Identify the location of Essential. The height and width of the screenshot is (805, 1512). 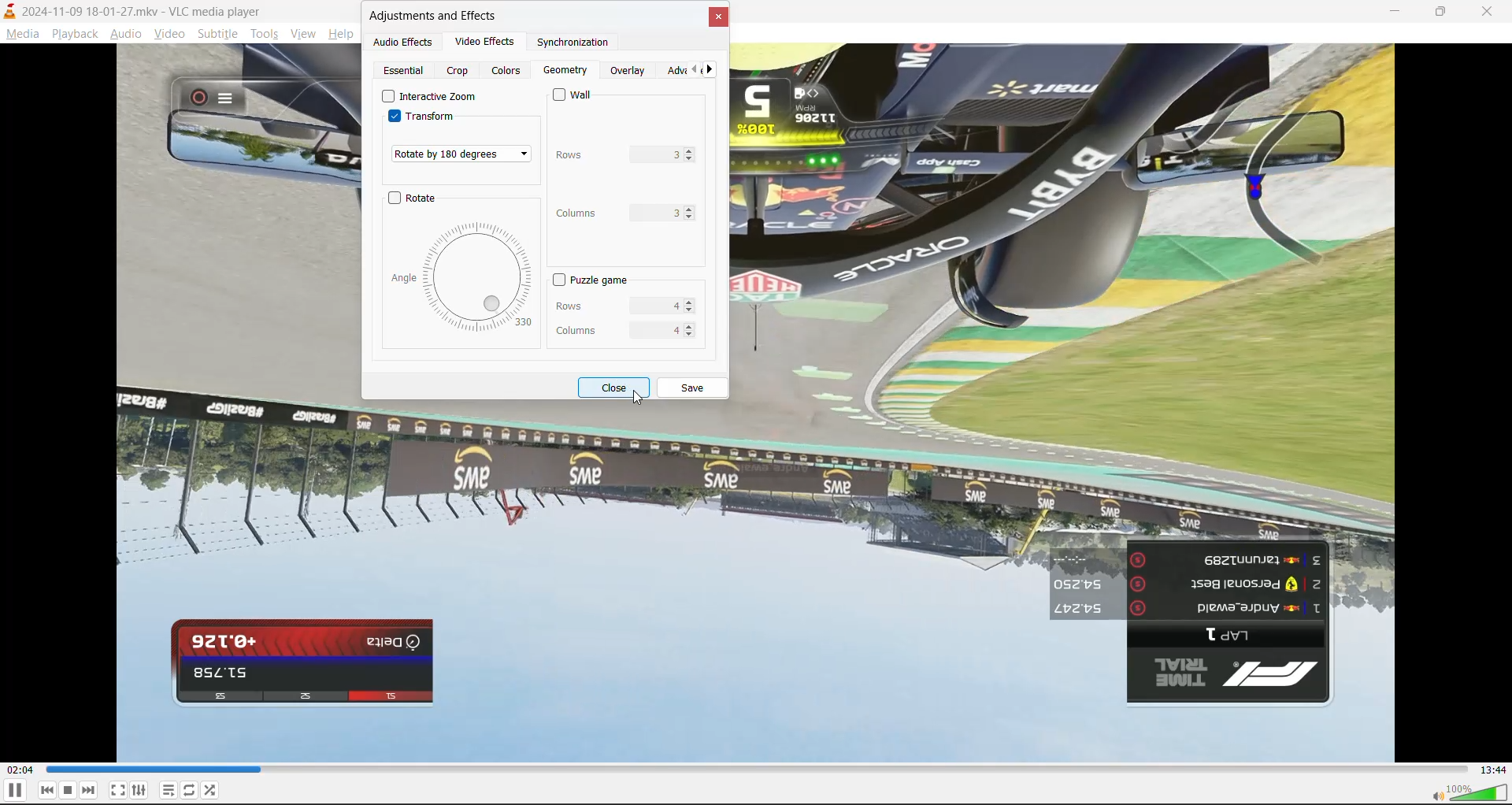
(405, 70).